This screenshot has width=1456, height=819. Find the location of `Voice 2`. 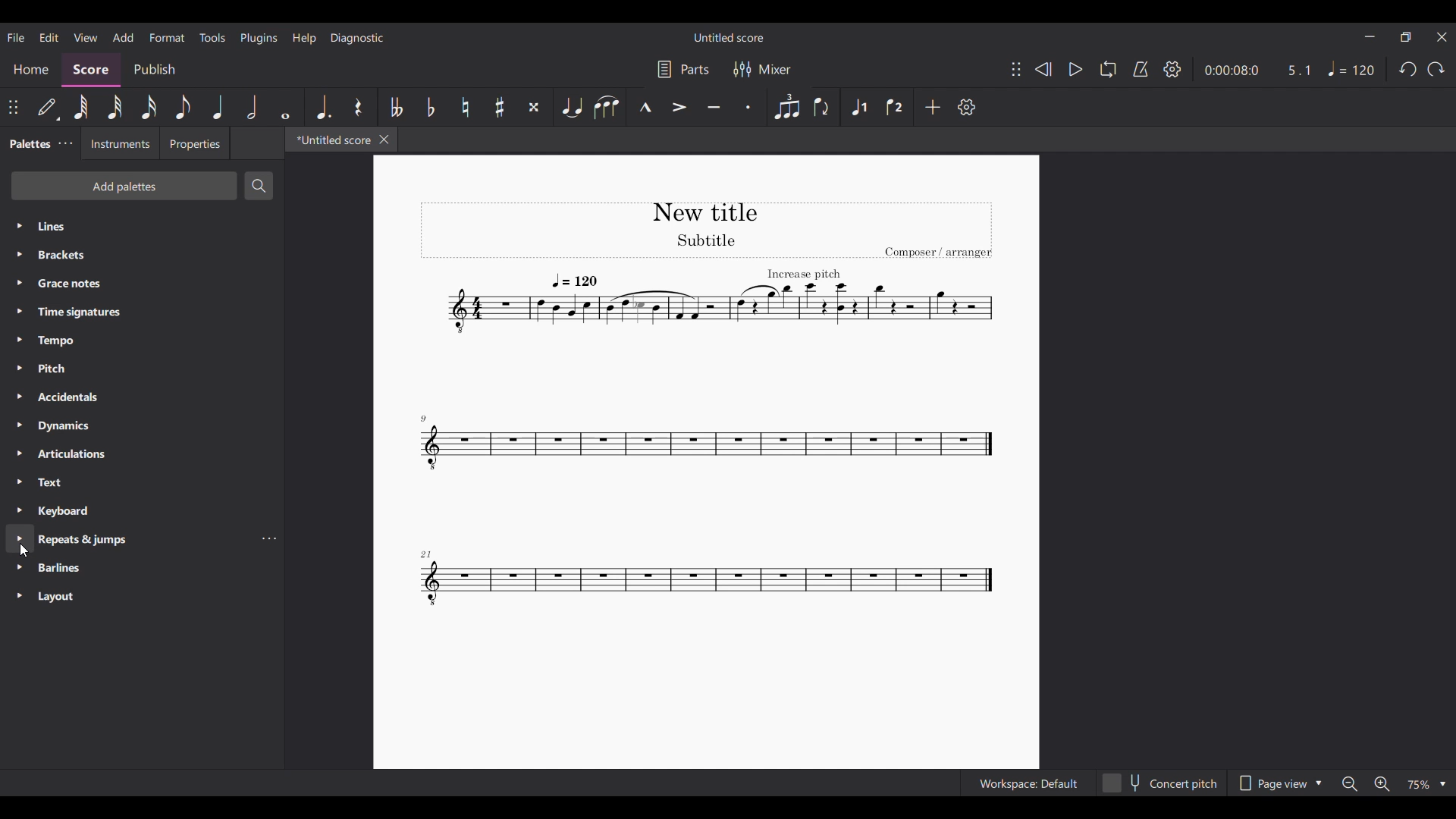

Voice 2 is located at coordinates (896, 107).